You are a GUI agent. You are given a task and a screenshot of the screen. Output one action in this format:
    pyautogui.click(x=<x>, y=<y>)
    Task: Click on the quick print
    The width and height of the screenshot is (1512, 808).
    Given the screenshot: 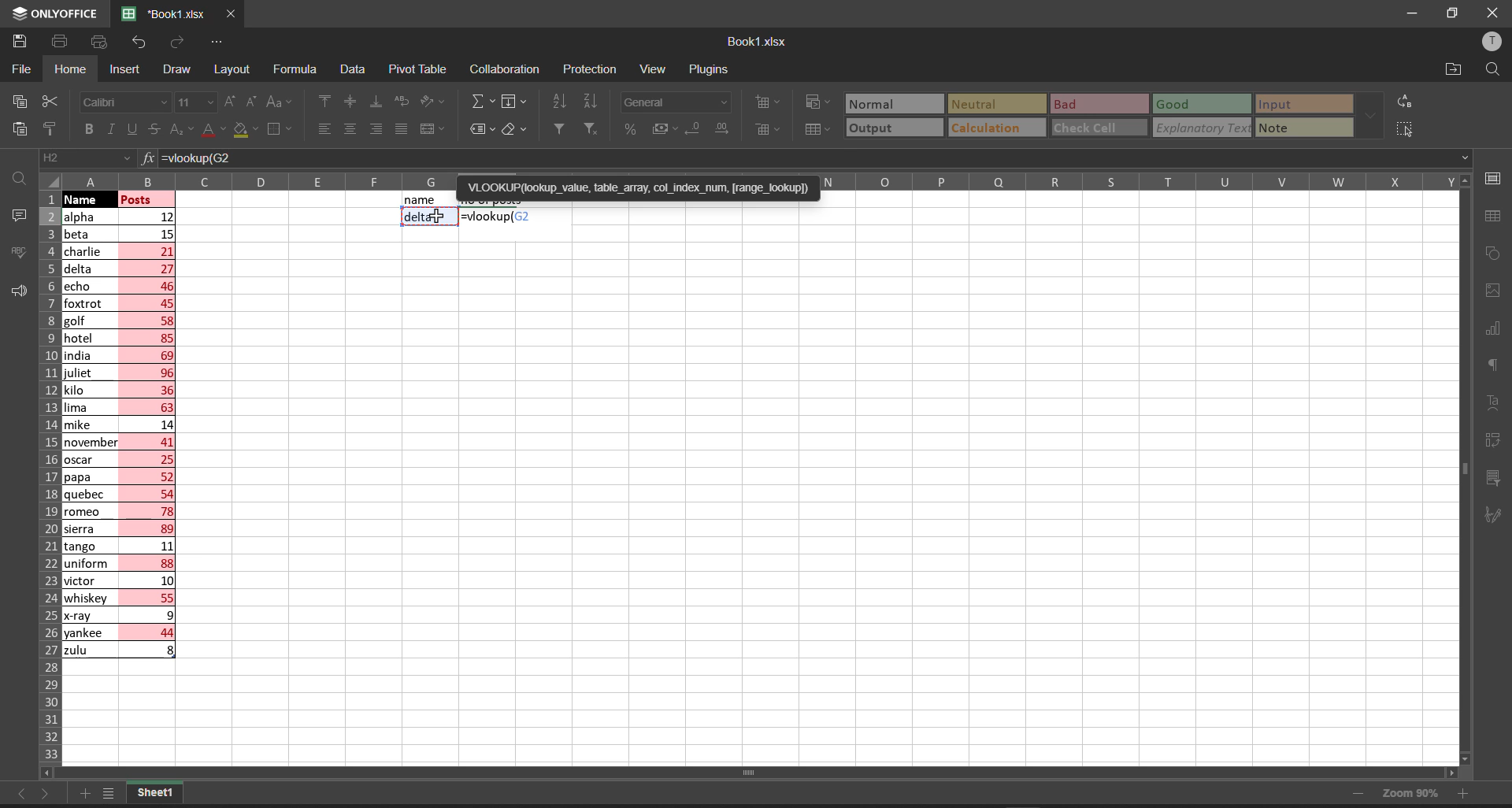 What is the action you would take?
    pyautogui.click(x=98, y=40)
    